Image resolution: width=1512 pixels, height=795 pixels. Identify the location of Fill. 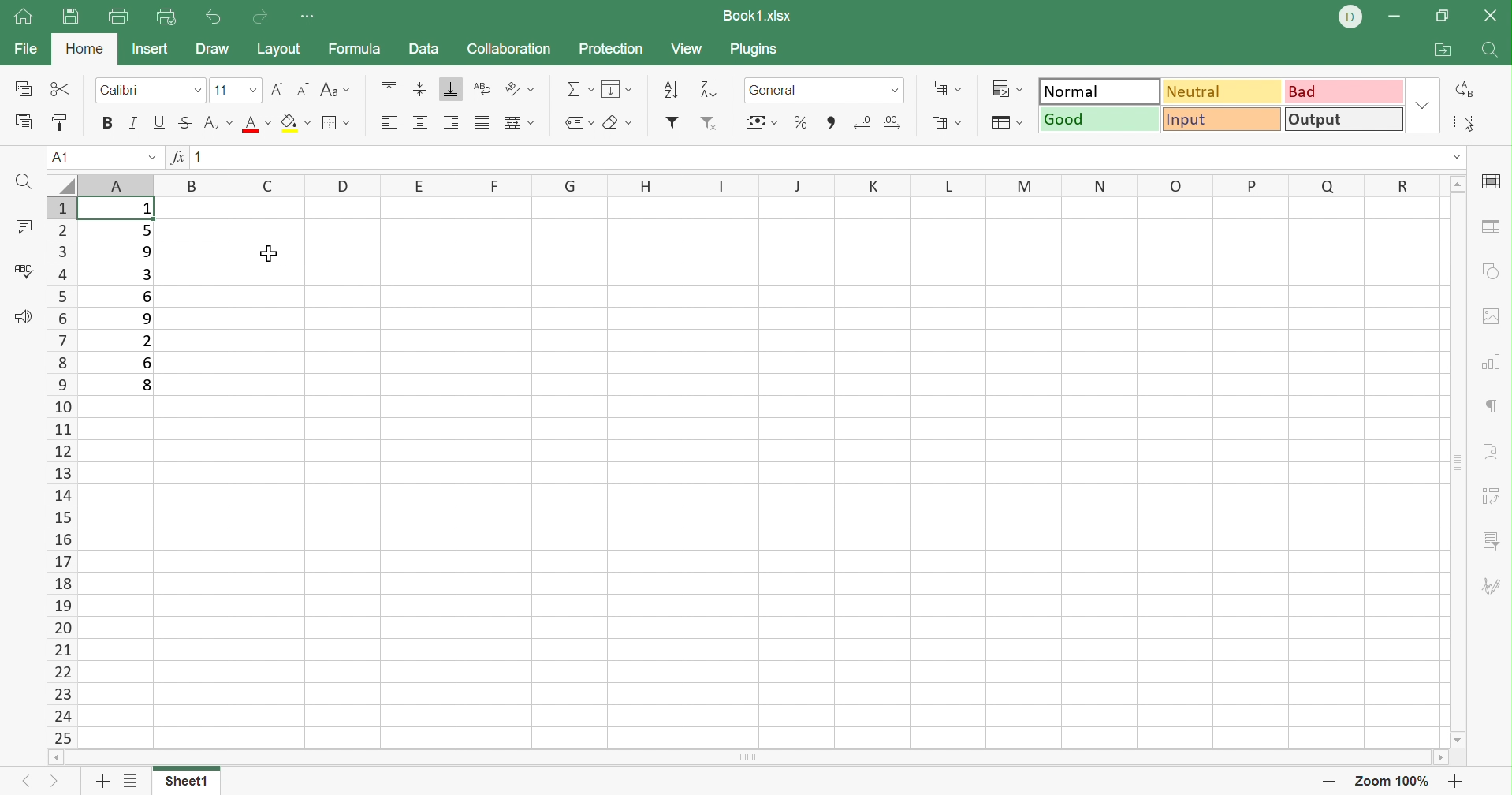
(616, 89).